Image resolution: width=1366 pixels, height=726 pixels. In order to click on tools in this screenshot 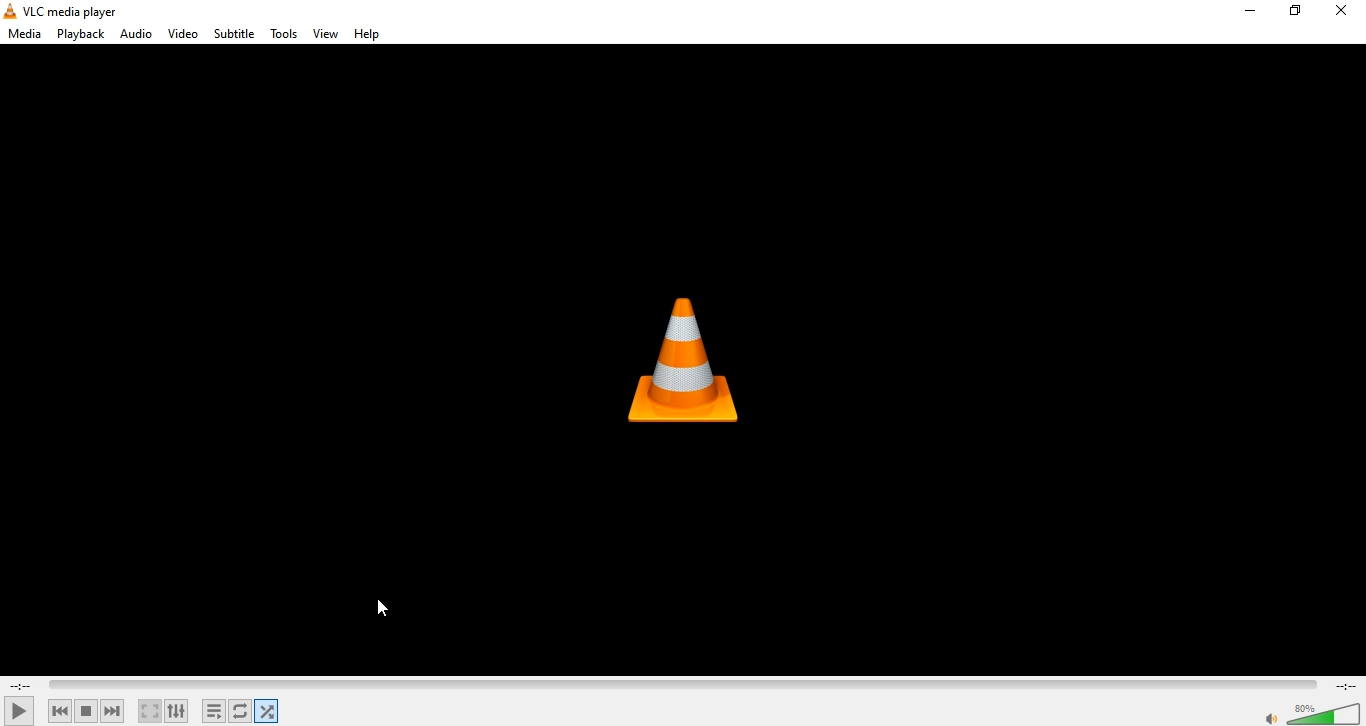, I will do `click(286, 35)`.